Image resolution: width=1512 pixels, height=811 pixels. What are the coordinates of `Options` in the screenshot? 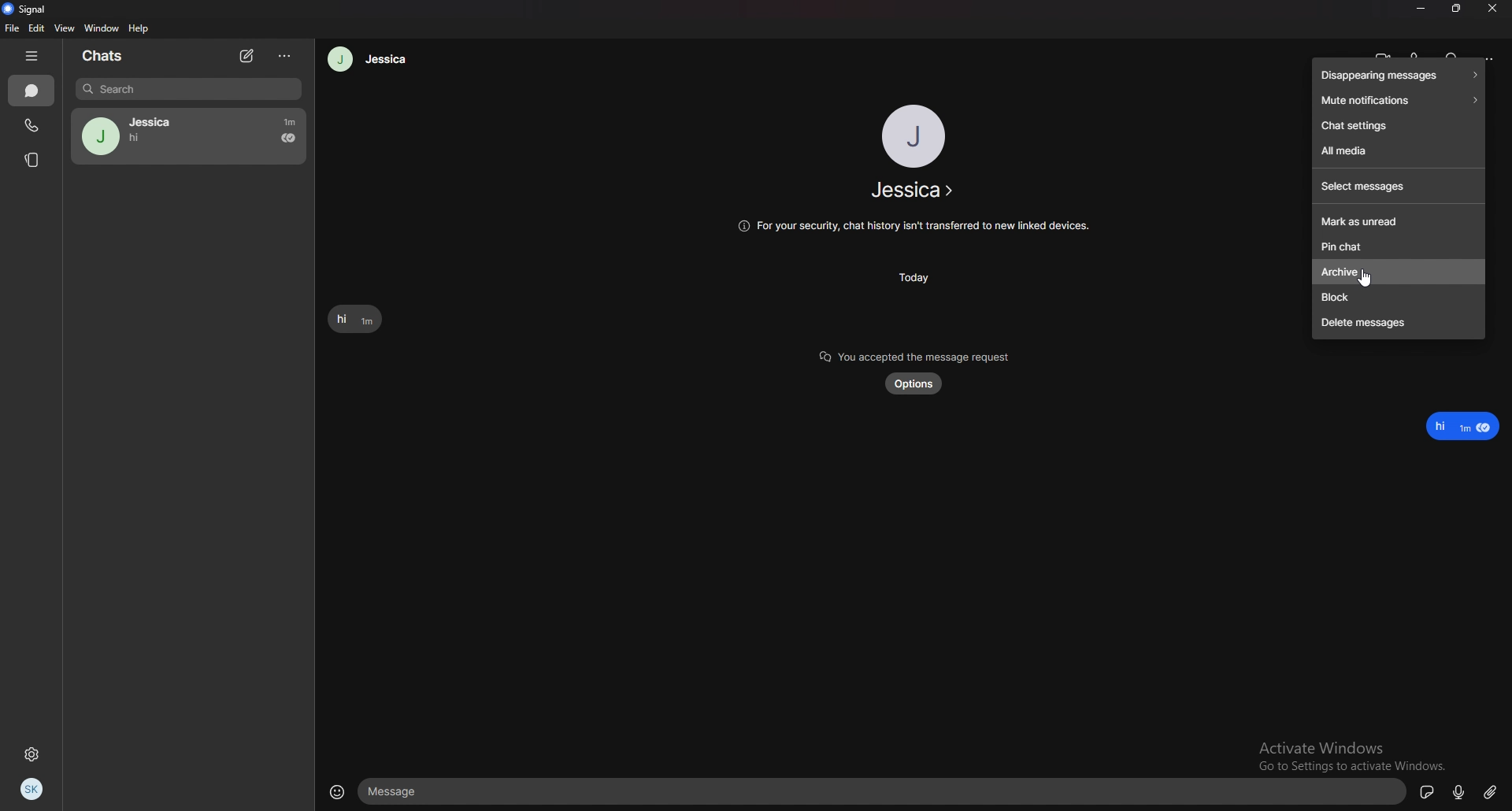 It's located at (285, 57).